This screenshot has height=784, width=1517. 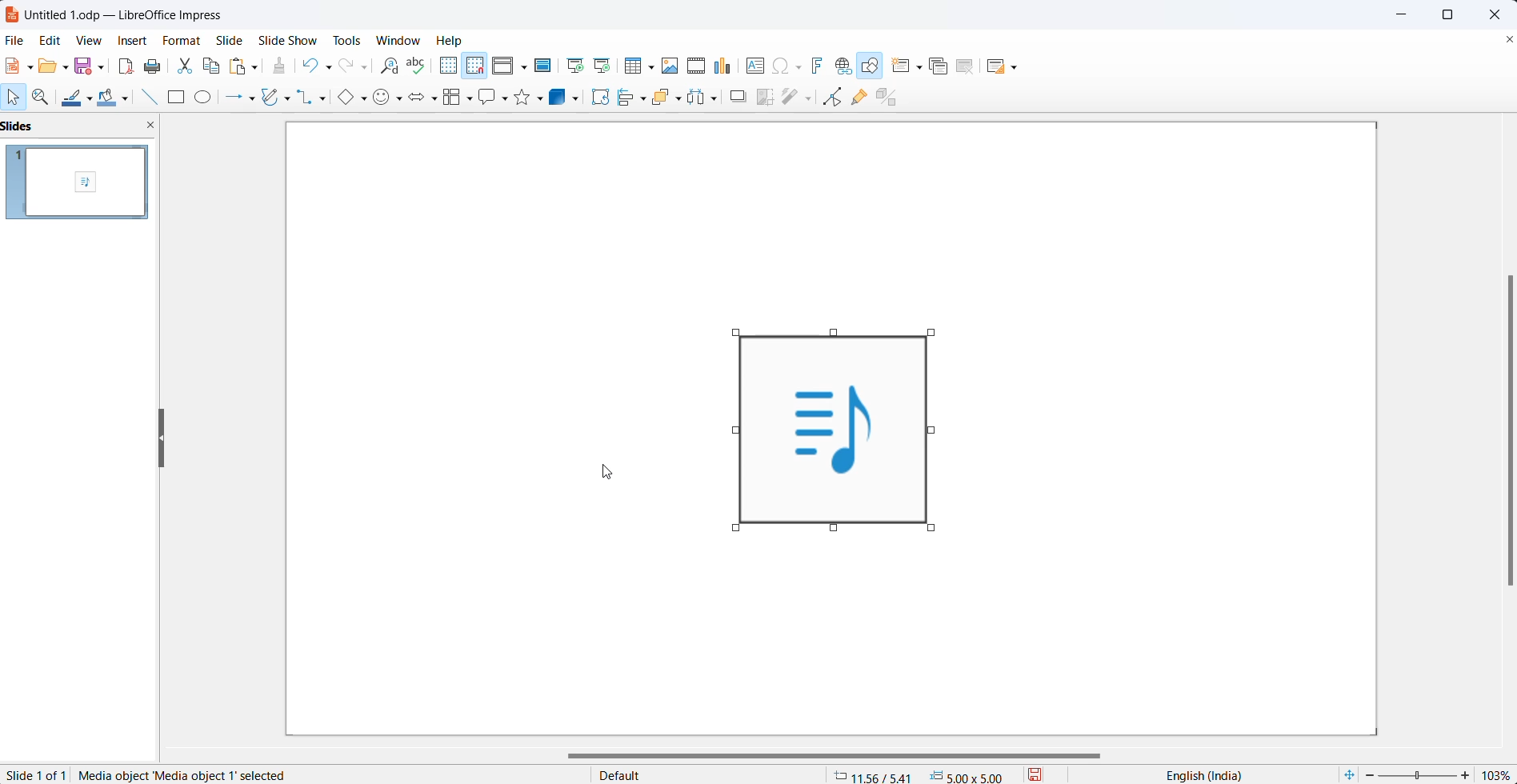 What do you see at coordinates (1197, 774) in the screenshot?
I see `` at bounding box center [1197, 774].